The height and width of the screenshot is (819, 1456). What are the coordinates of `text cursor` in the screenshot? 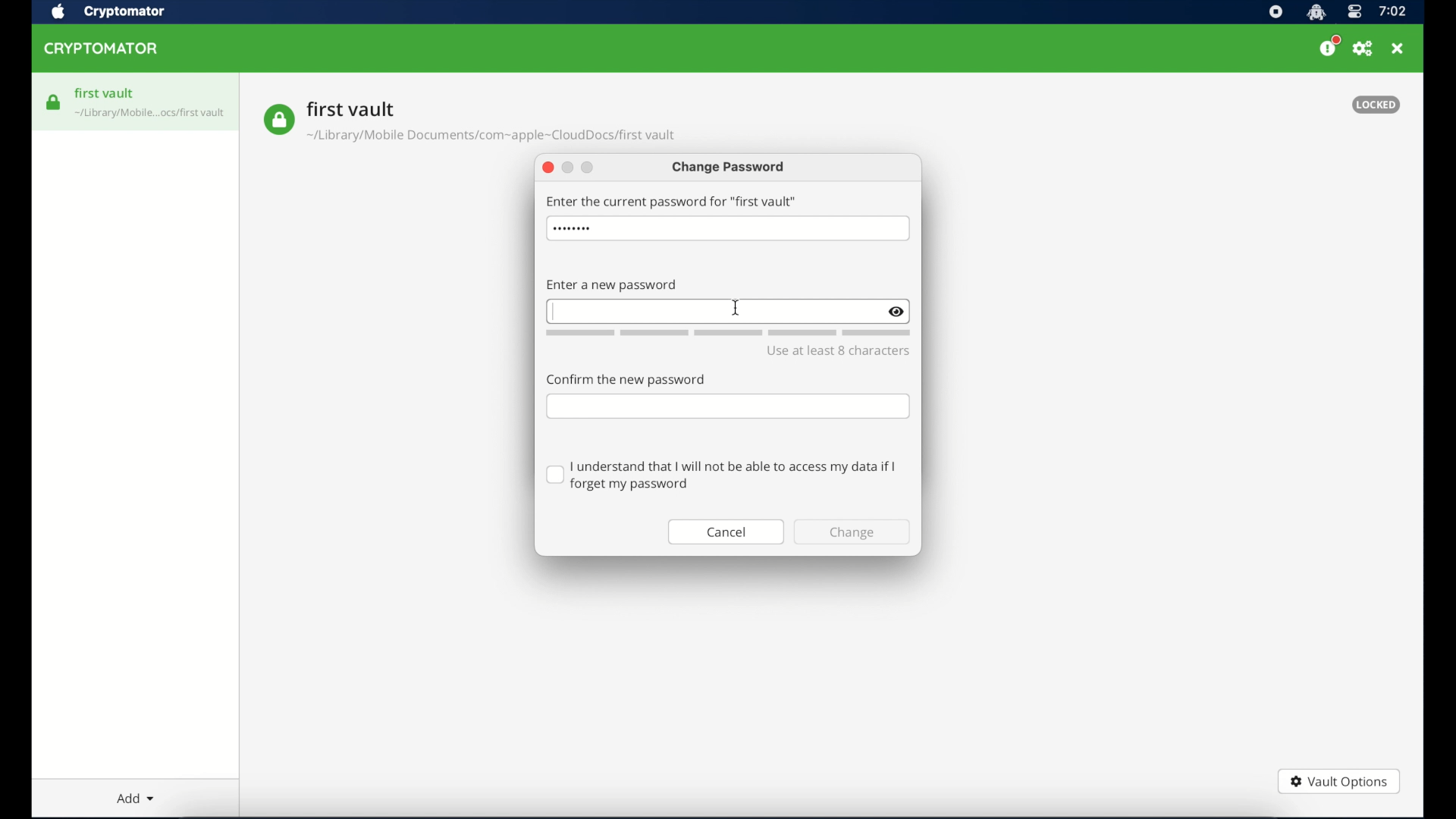 It's located at (553, 310).